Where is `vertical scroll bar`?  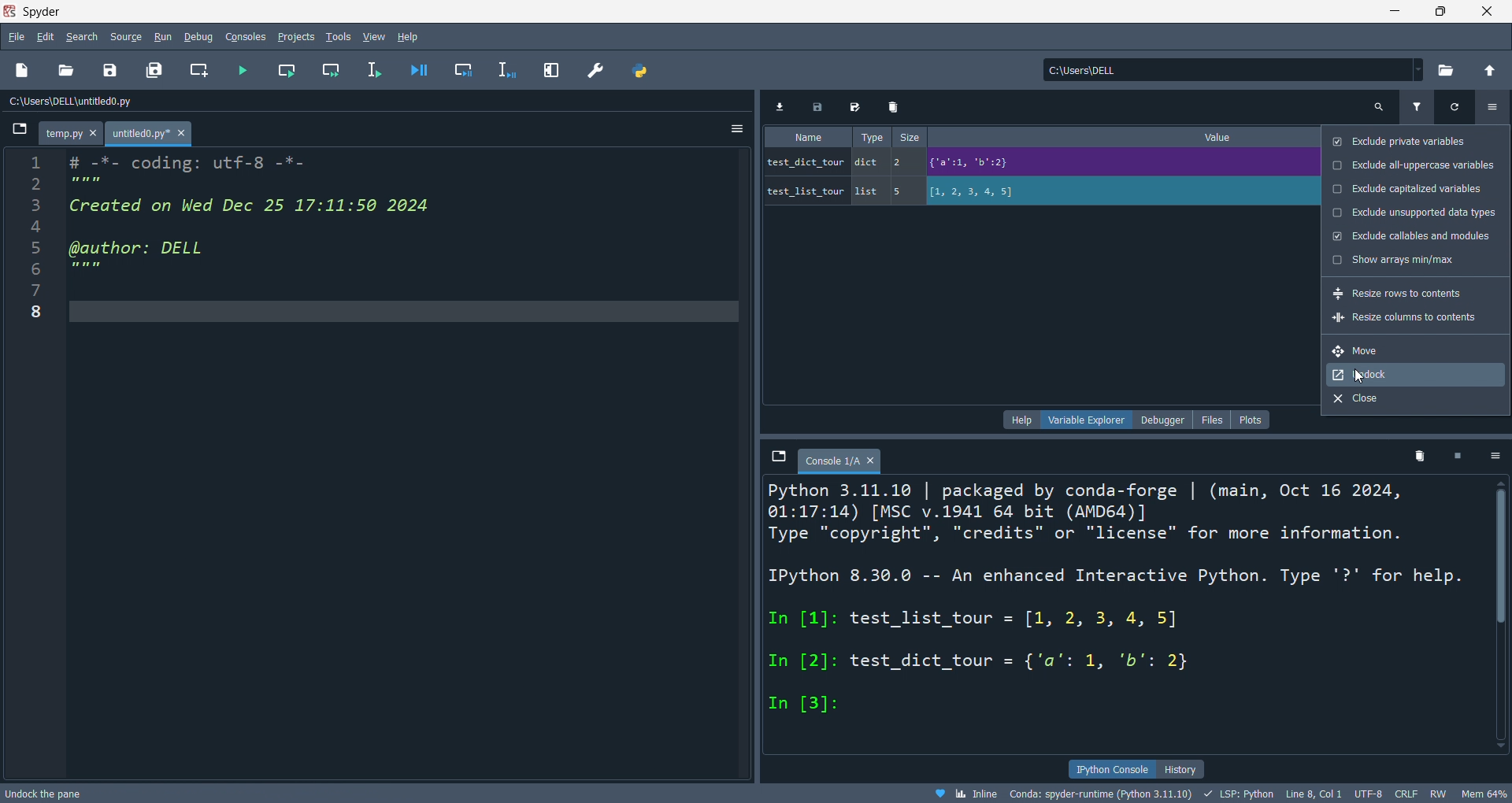 vertical scroll bar is located at coordinates (1503, 610).